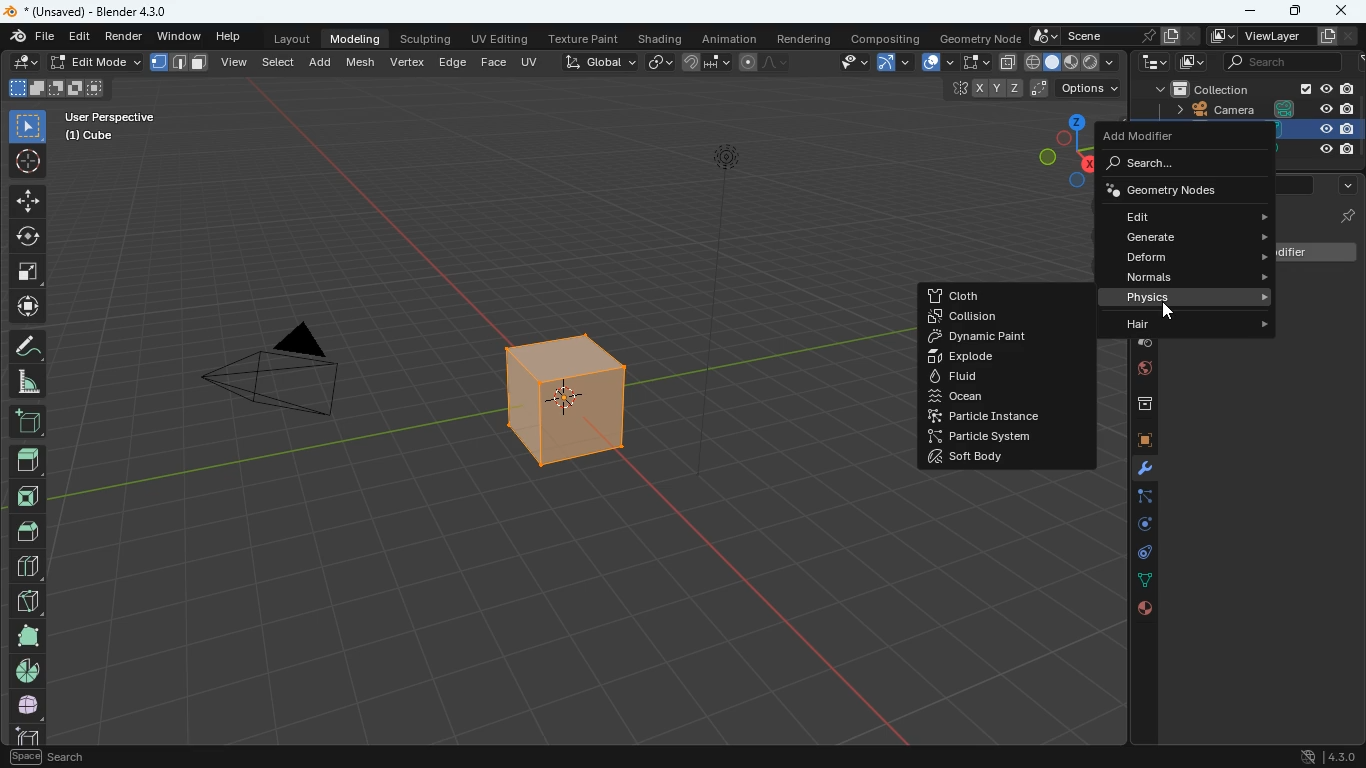 Image resolution: width=1366 pixels, height=768 pixels. What do you see at coordinates (1138, 555) in the screenshot?
I see `controls` at bounding box center [1138, 555].